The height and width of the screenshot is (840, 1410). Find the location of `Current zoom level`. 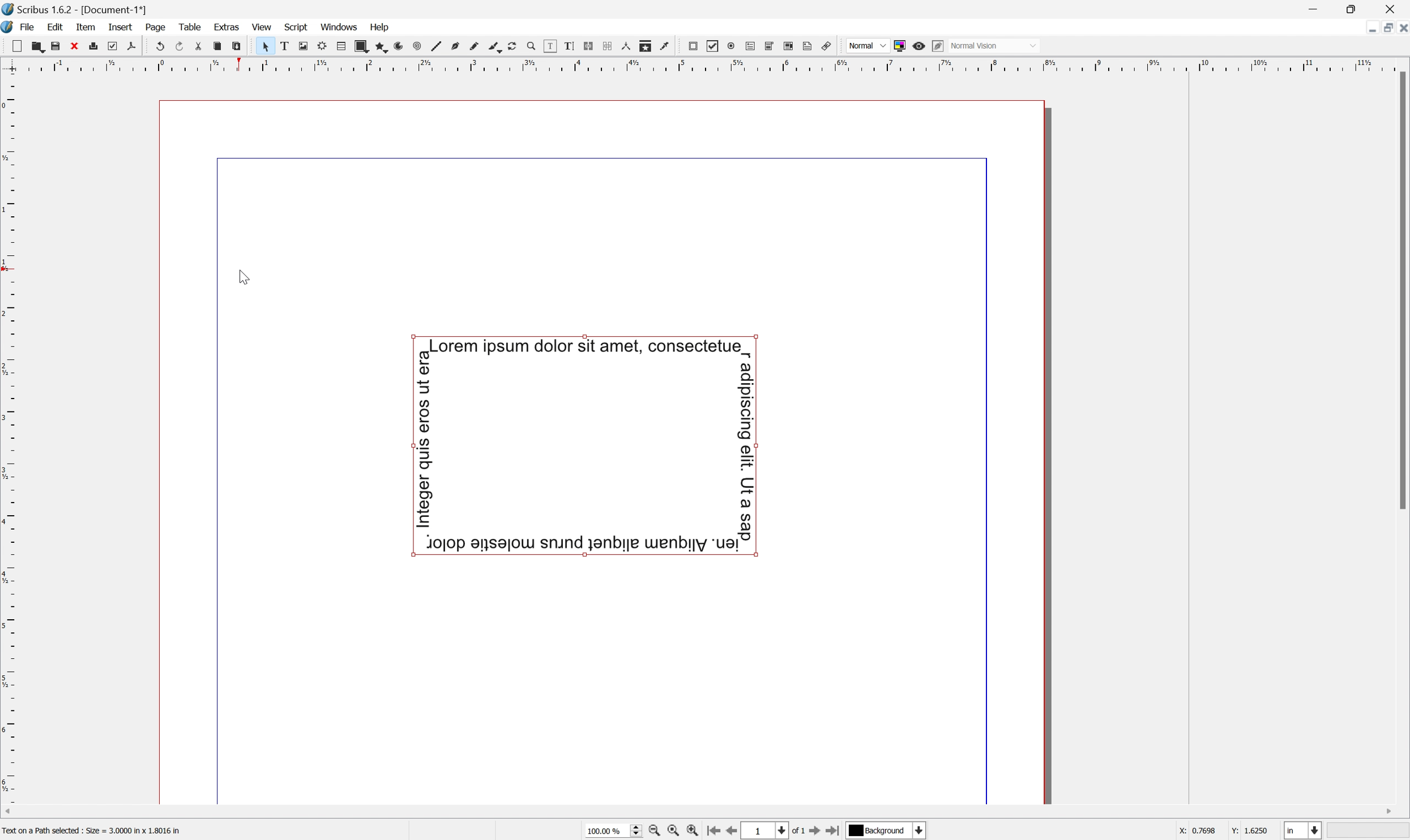

Current zoom level is located at coordinates (613, 832).